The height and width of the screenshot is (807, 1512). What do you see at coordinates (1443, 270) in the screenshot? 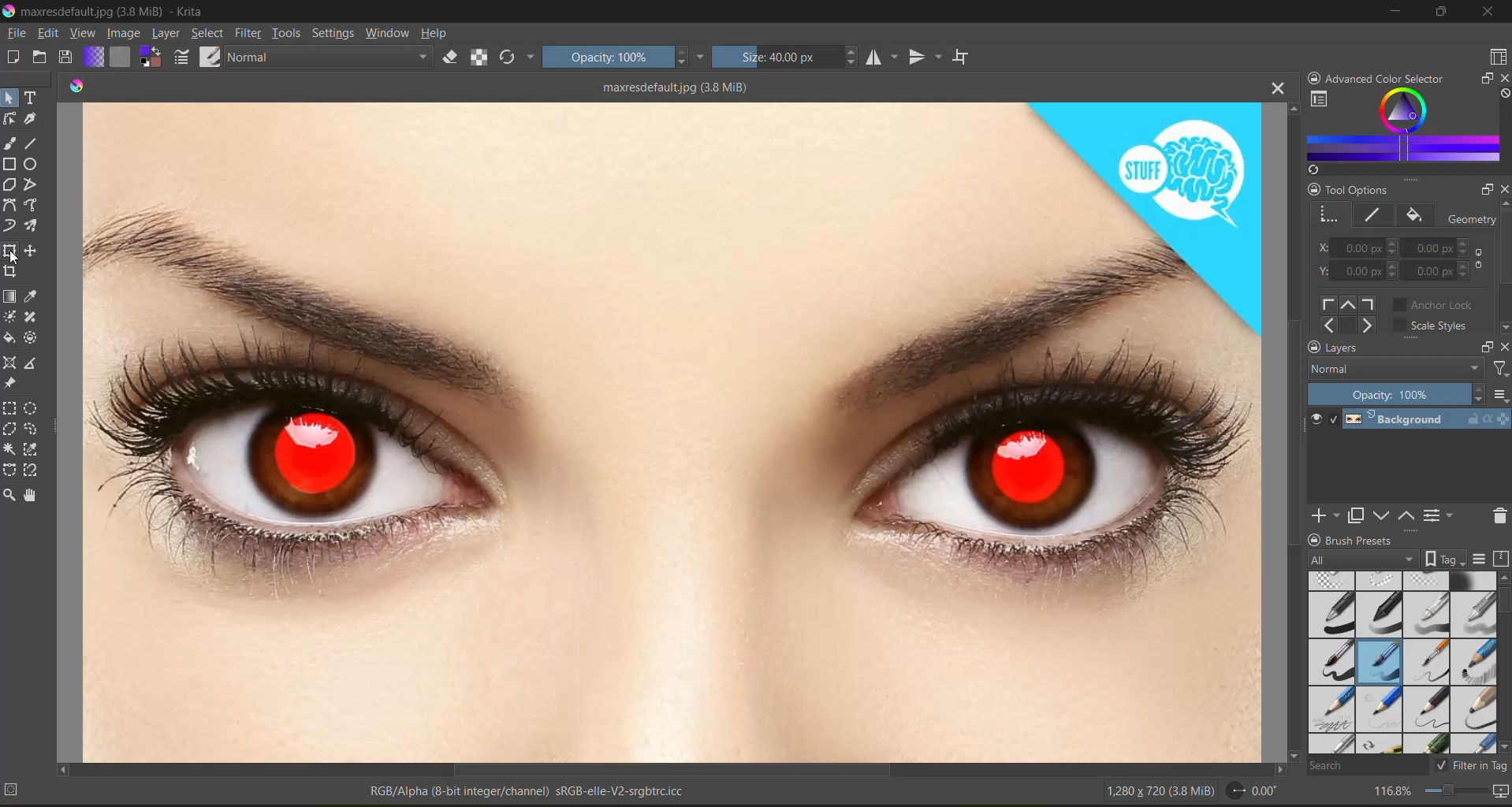
I see `xy axis` at bounding box center [1443, 270].